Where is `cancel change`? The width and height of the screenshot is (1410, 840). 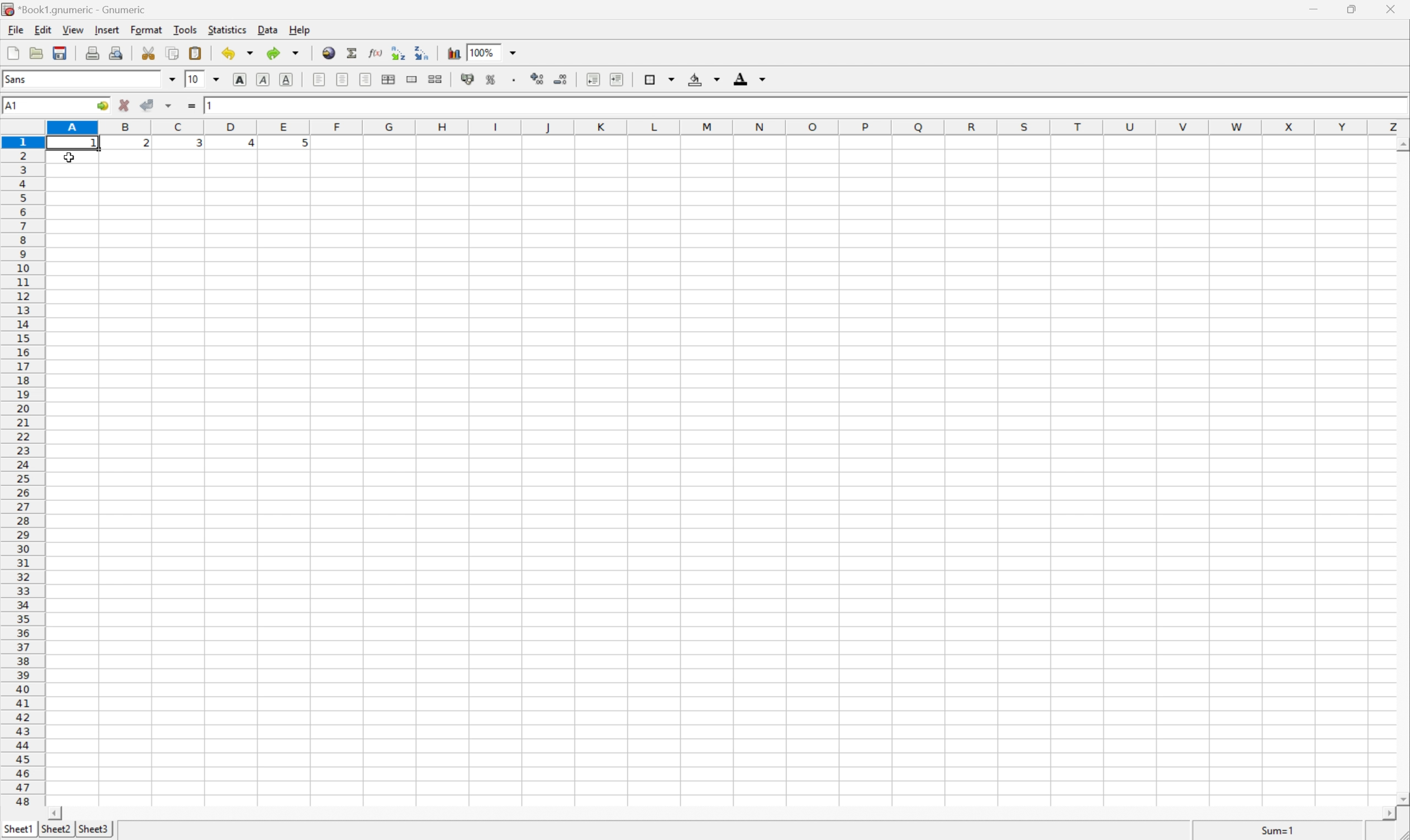
cancel change is located at coordinates (125, 106).